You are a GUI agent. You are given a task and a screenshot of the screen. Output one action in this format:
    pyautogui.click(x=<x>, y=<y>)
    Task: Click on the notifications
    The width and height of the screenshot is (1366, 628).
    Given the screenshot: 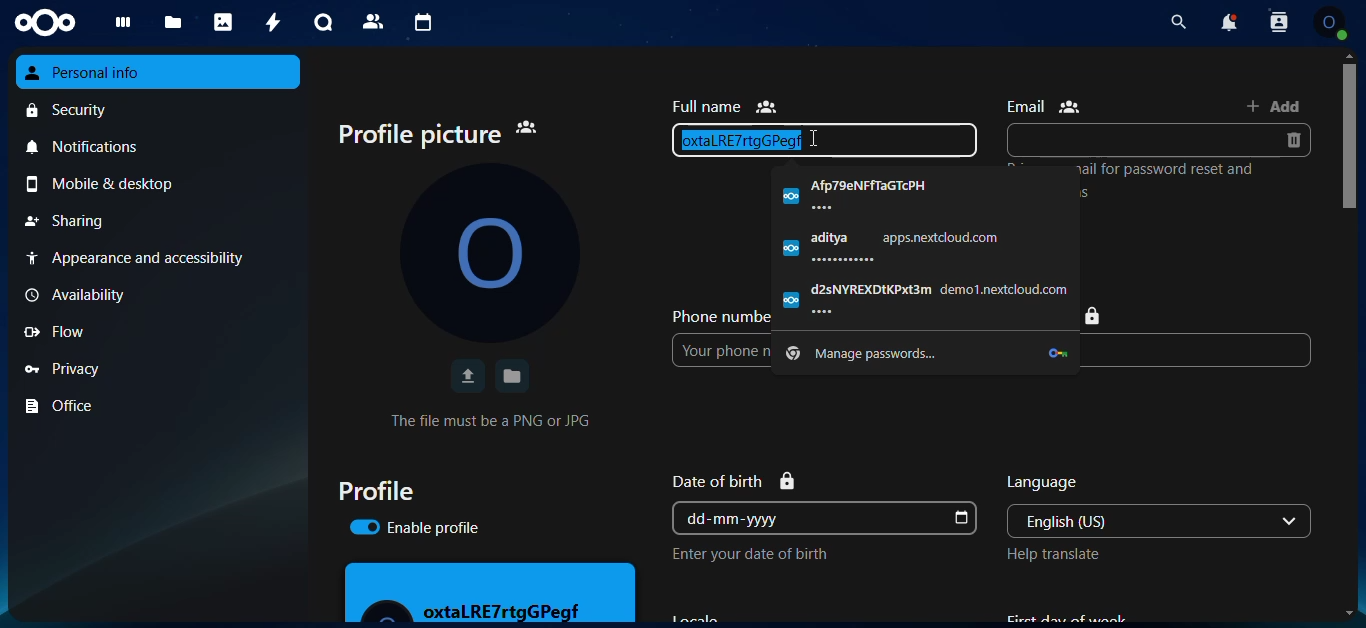 What is the action you would take?
    pyautogui.click(x=160, y=145)
    